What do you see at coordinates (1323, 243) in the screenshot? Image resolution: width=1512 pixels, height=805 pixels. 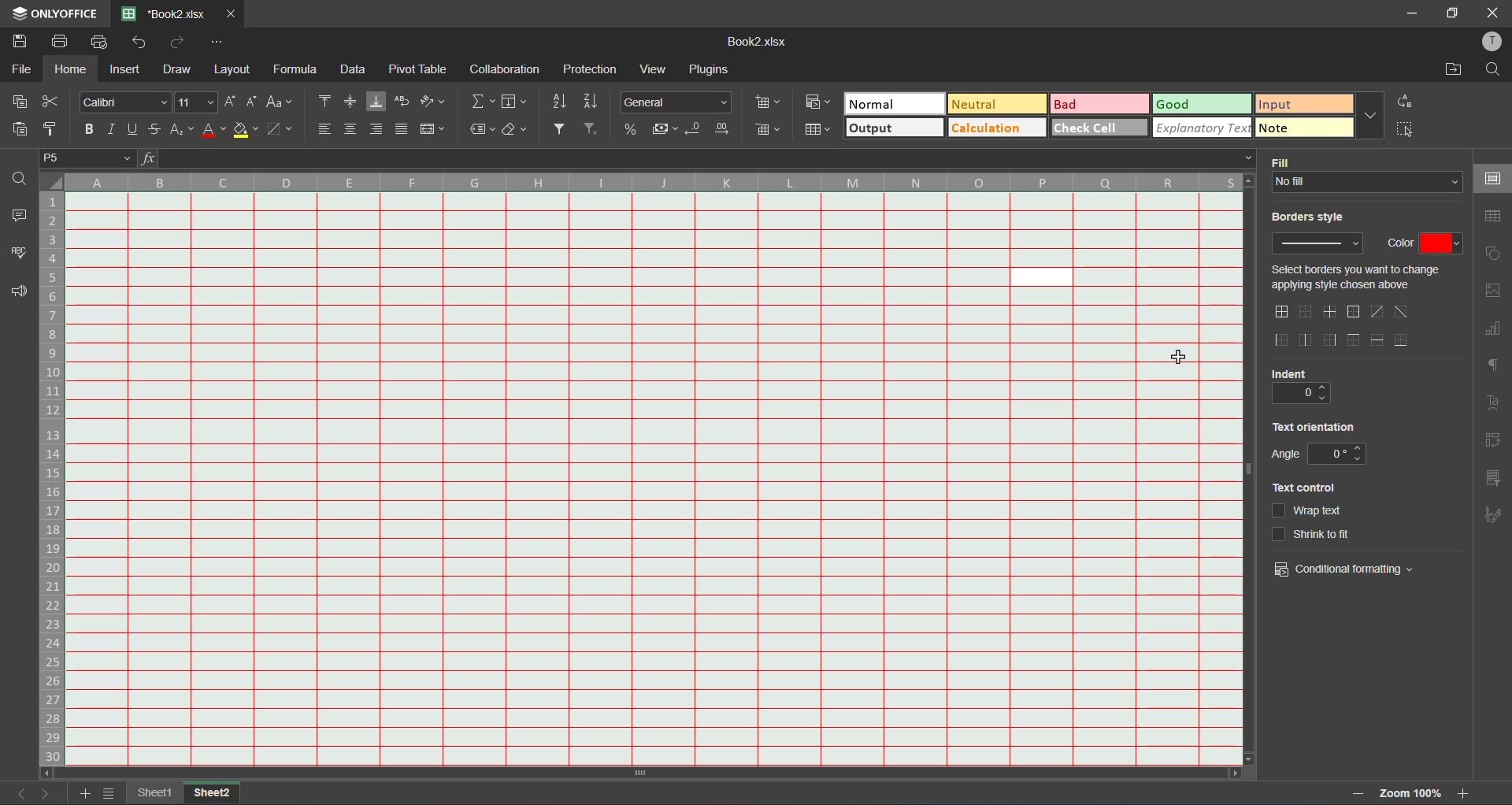 I see `borders style` at bounding box center [1323, 243].